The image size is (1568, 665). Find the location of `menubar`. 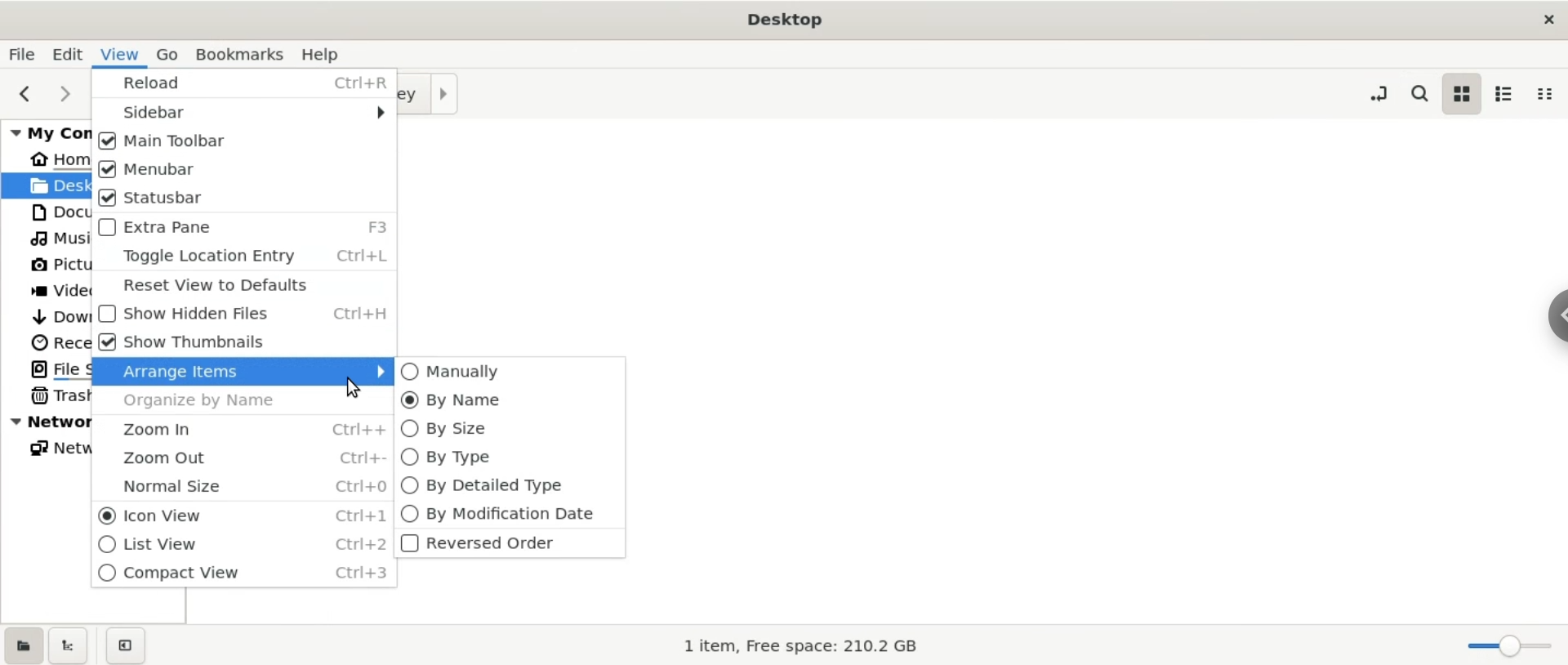

menubar is located at coordinates (243, 171).